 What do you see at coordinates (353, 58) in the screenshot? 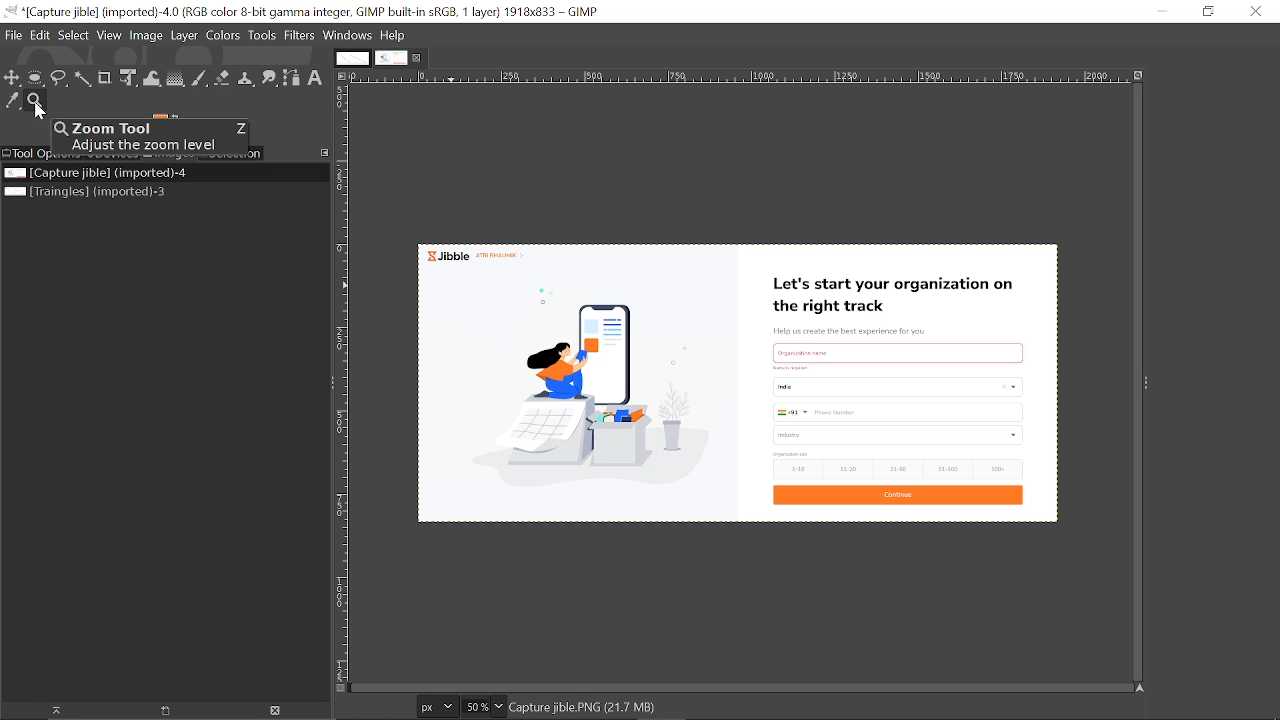
I see `First tab` at bounding box center [353, 58].